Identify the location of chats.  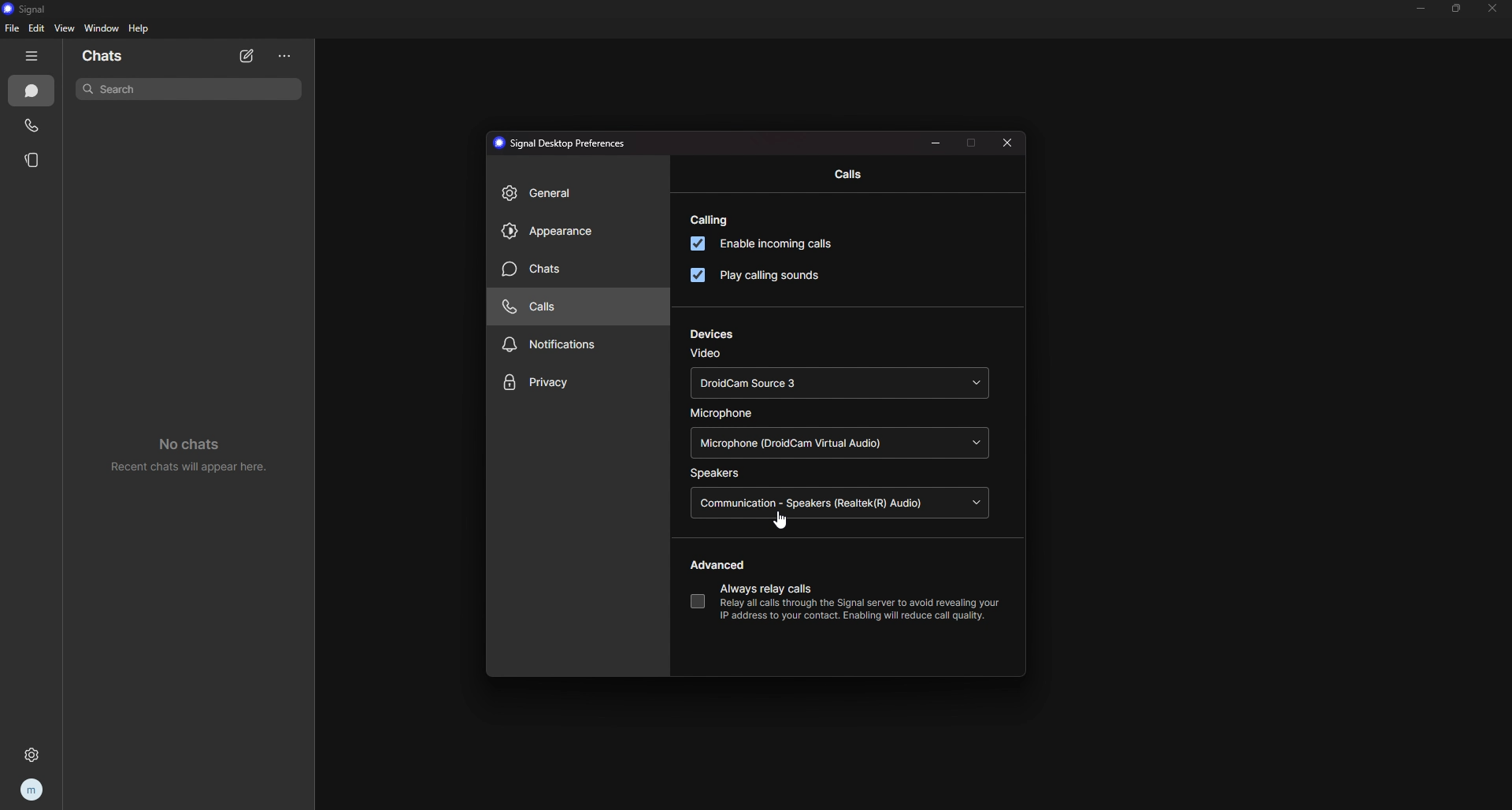
(128, 54).